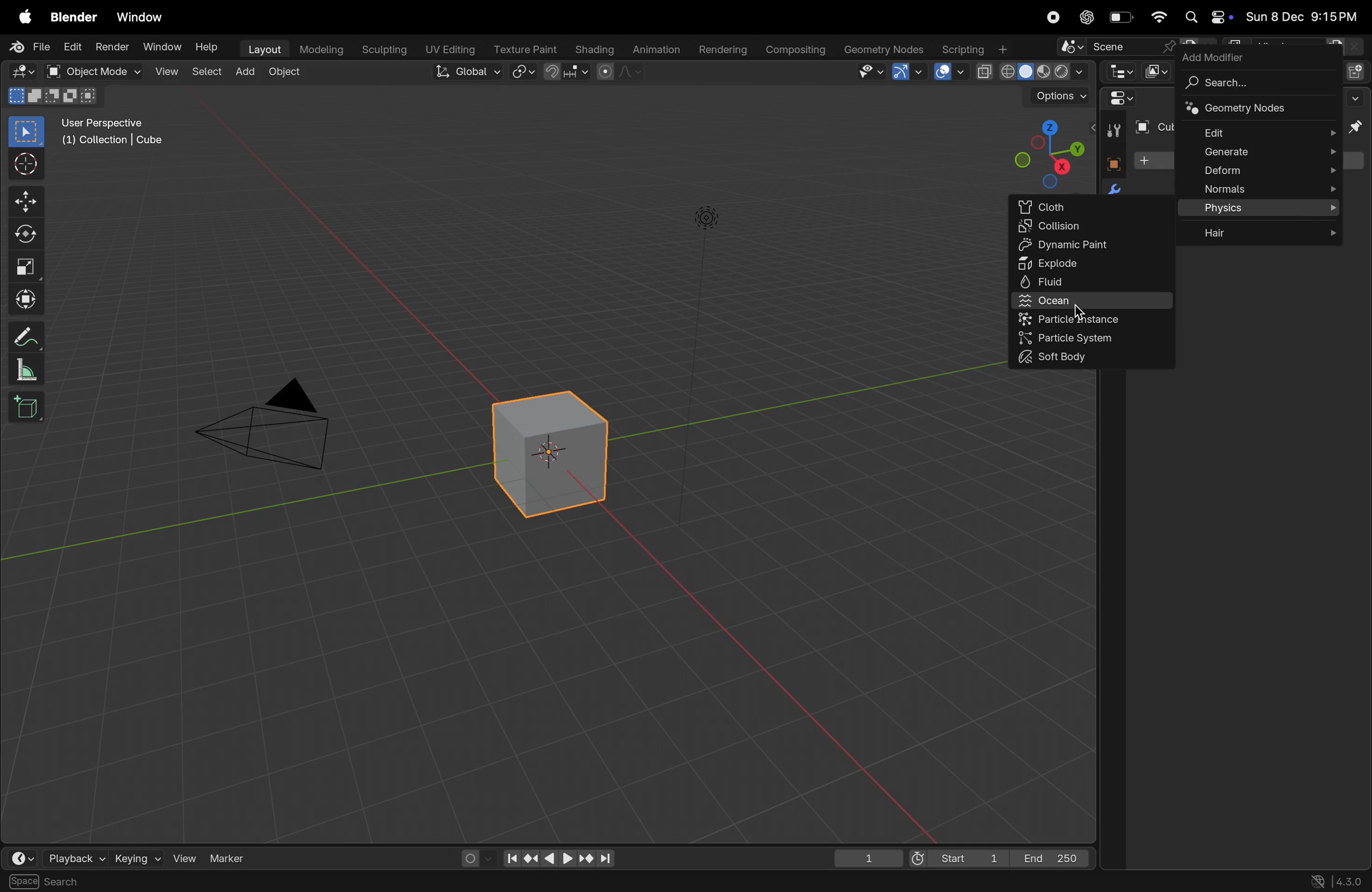 This screenshot has width=1372, height=892. What do you see at coordinates (74, 17) in the screenshot?
I see `blender` at bounding box center [74, 17].